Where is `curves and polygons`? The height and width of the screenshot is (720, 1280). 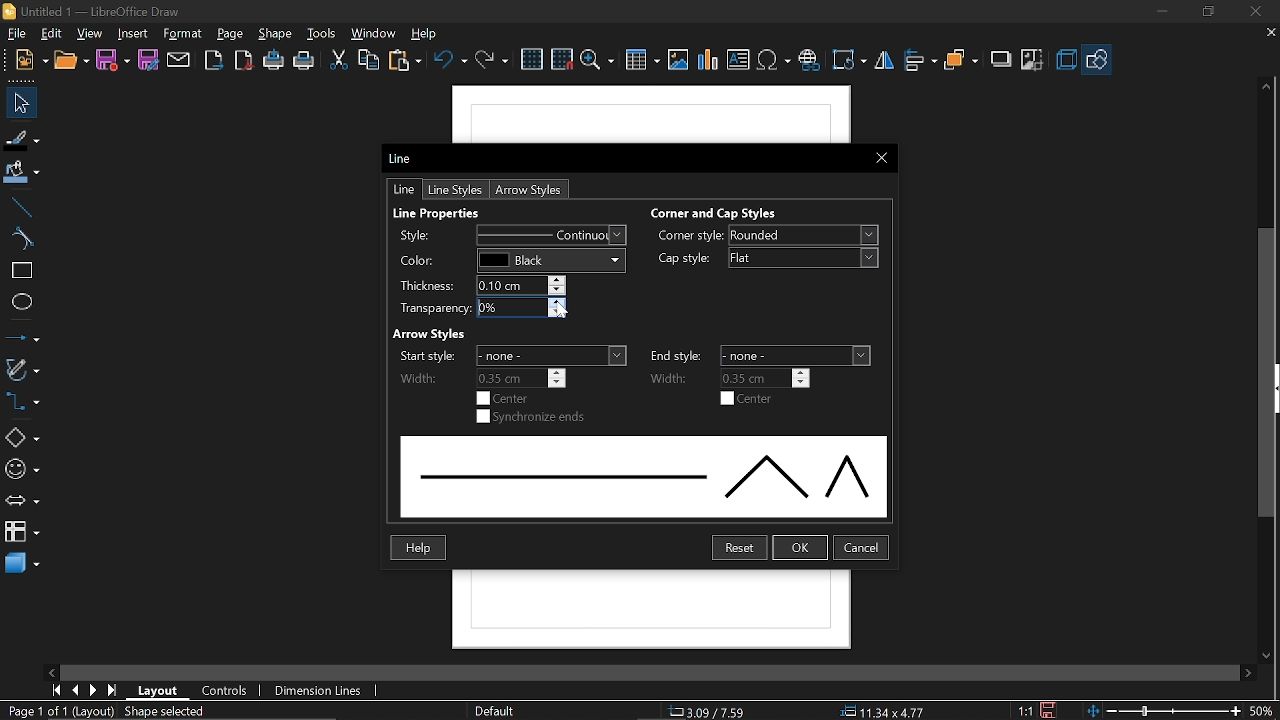
curves and polygons is located at coordinates (22, 367).